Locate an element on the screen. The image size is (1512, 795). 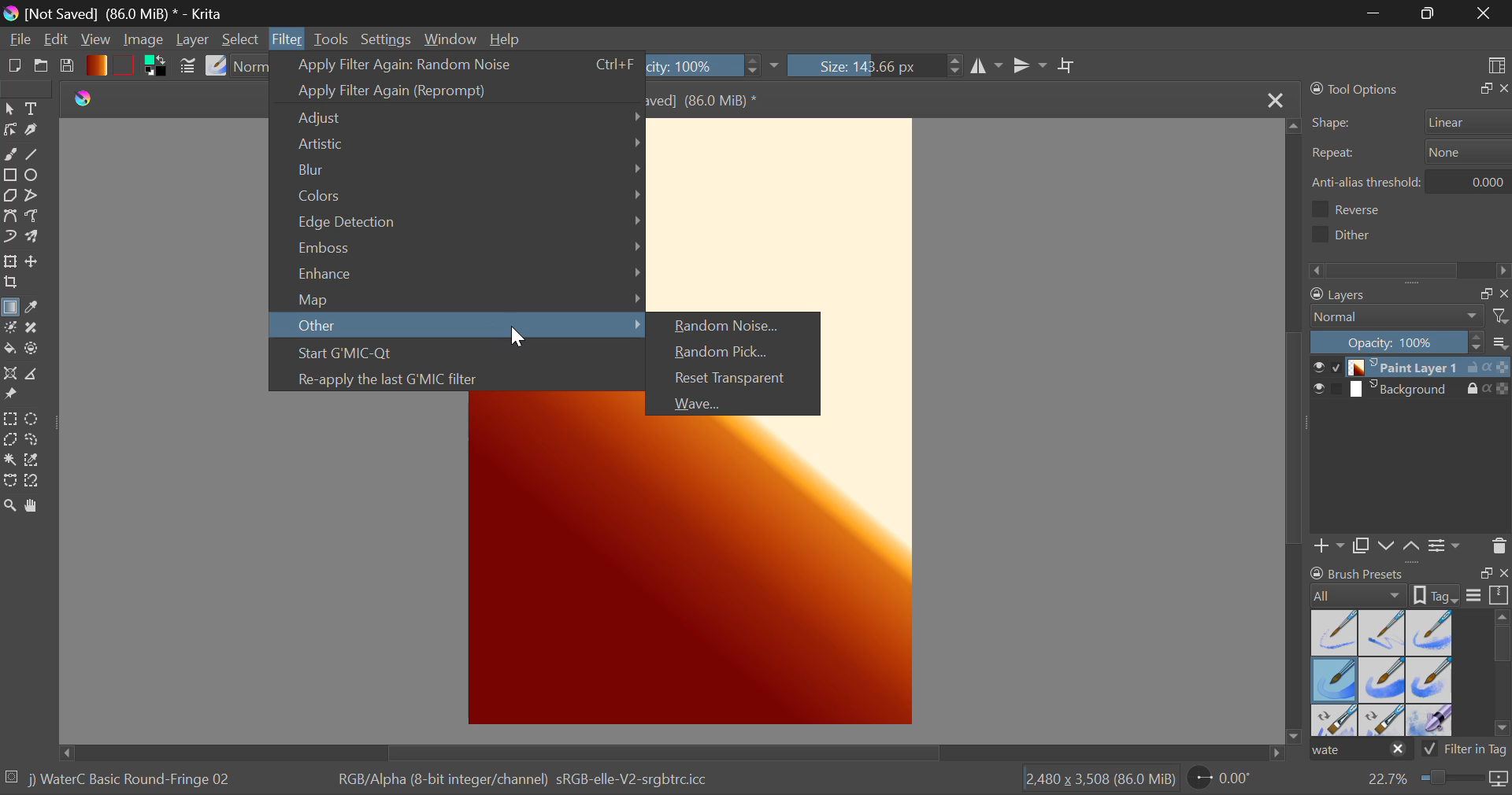
Gradient Fill is located at coordinates (11, 309).